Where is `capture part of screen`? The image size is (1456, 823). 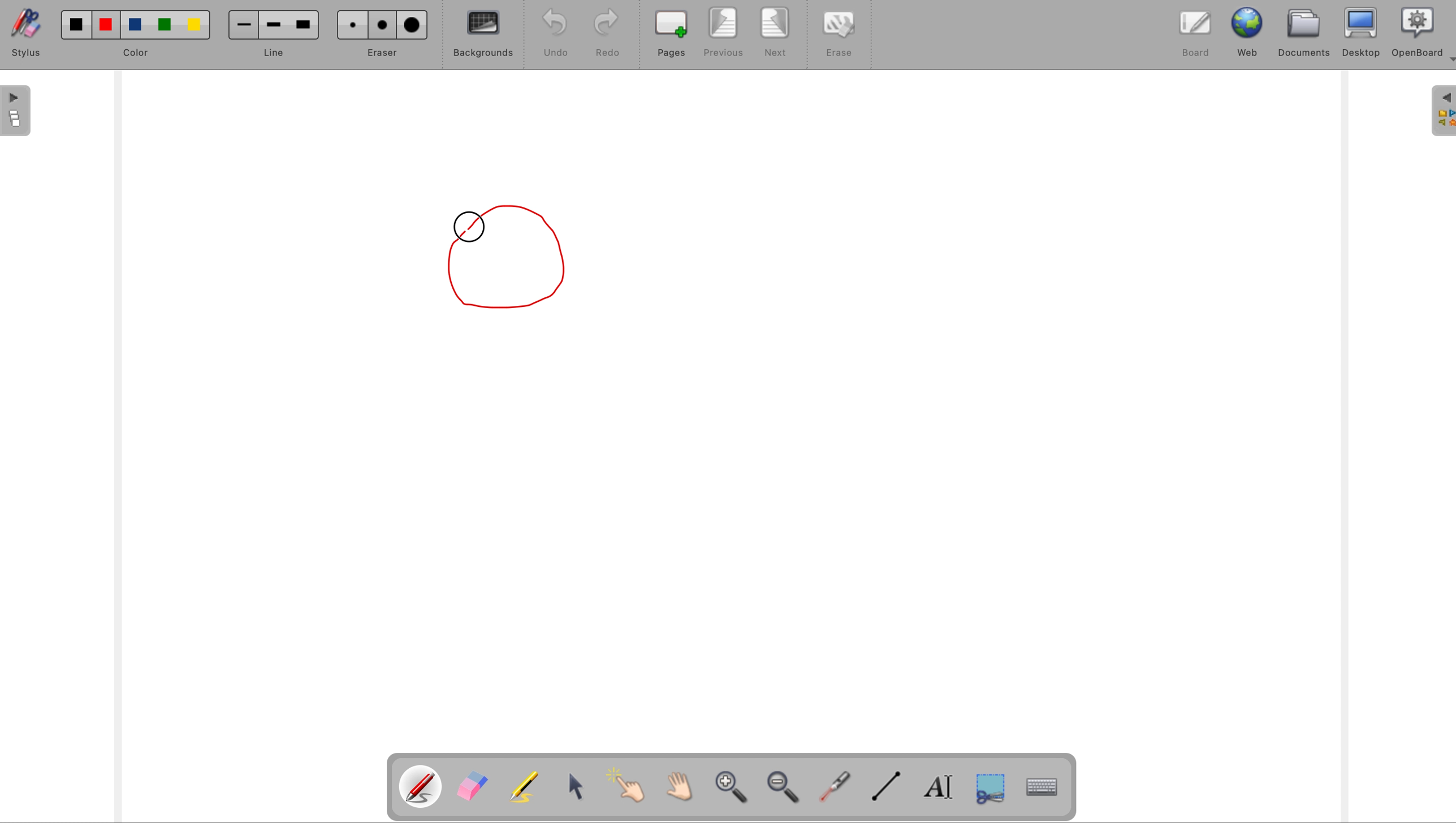
capture part of screen is located at coordinates (998, 792).